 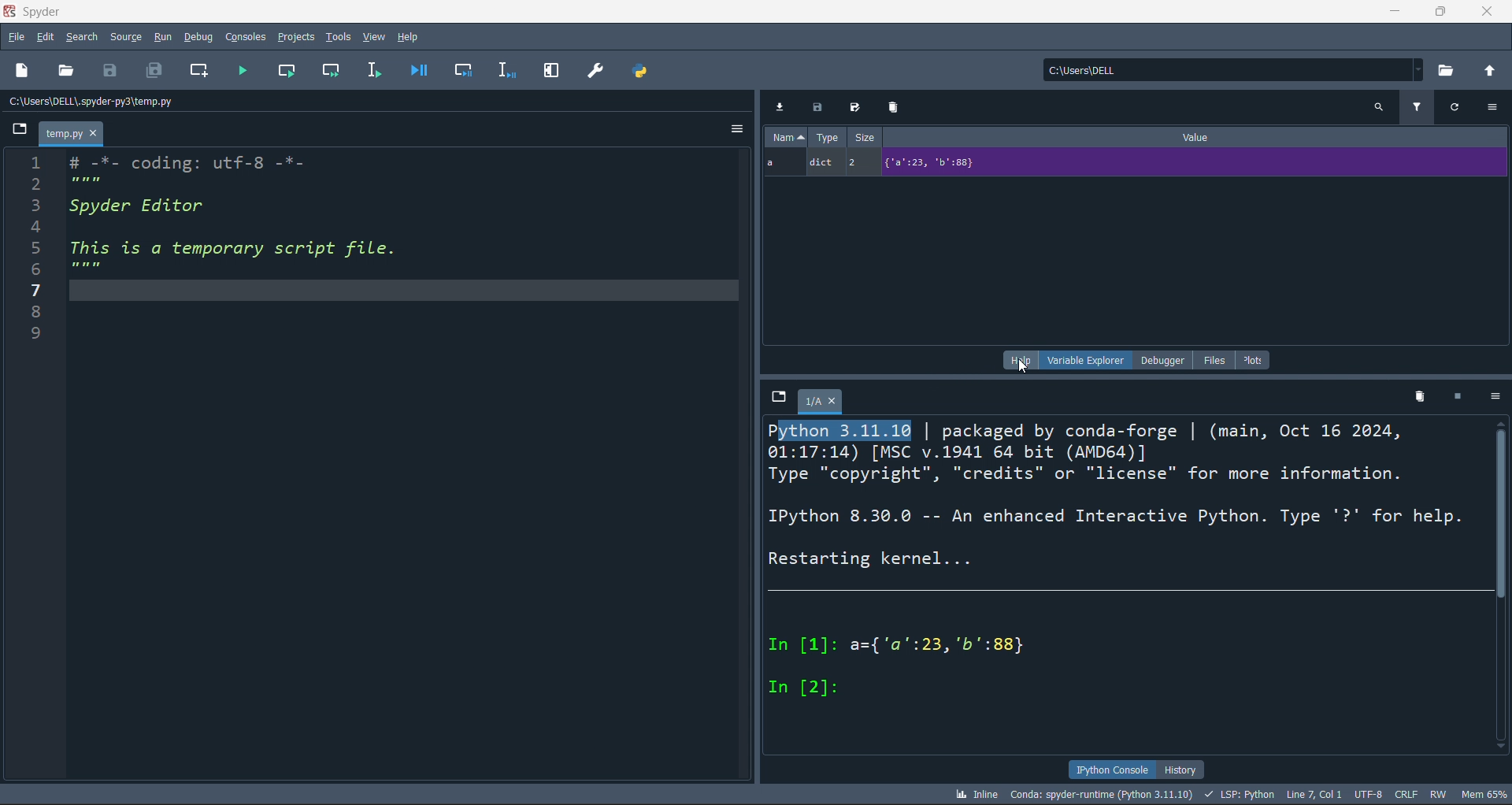 I want to click on type, so click(x=825, y=138).